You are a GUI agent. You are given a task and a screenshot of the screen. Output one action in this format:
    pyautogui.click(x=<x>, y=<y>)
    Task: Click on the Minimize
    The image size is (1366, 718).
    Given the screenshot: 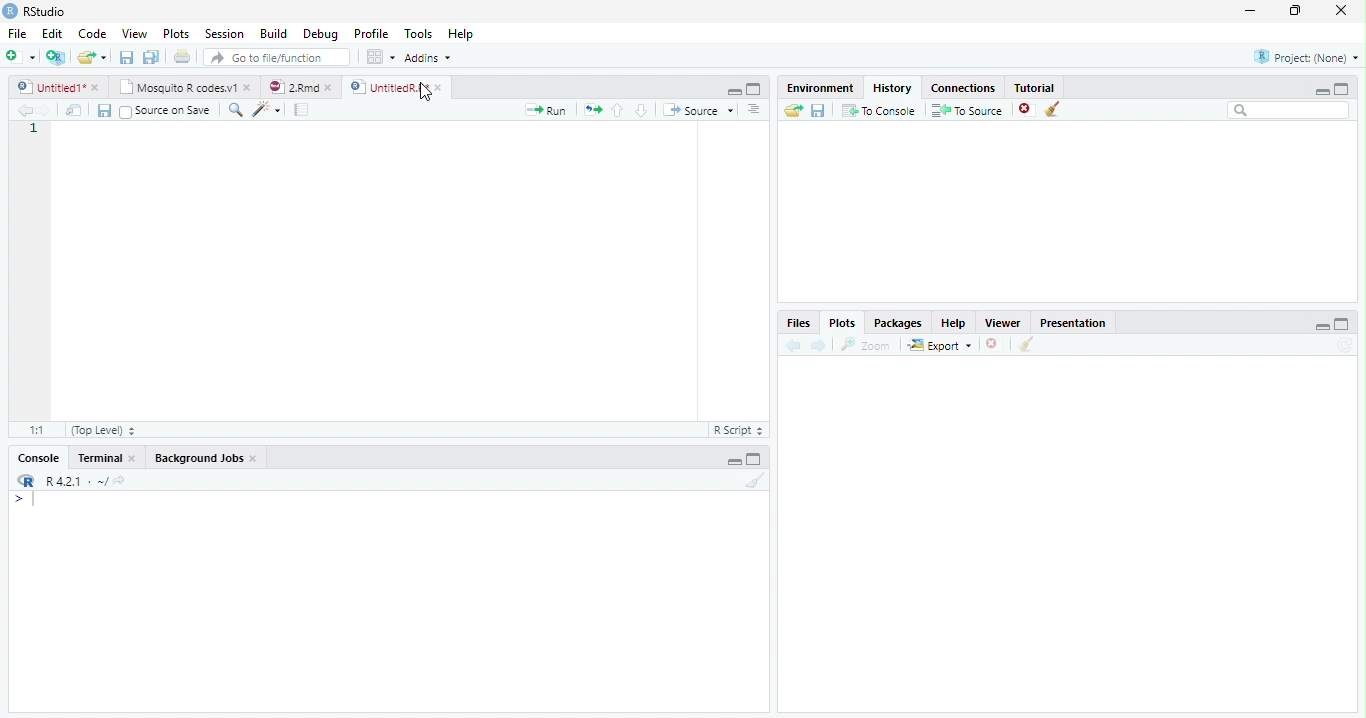 What is the action you would take?
    pyautogui.click(x=1319, y=91)
    